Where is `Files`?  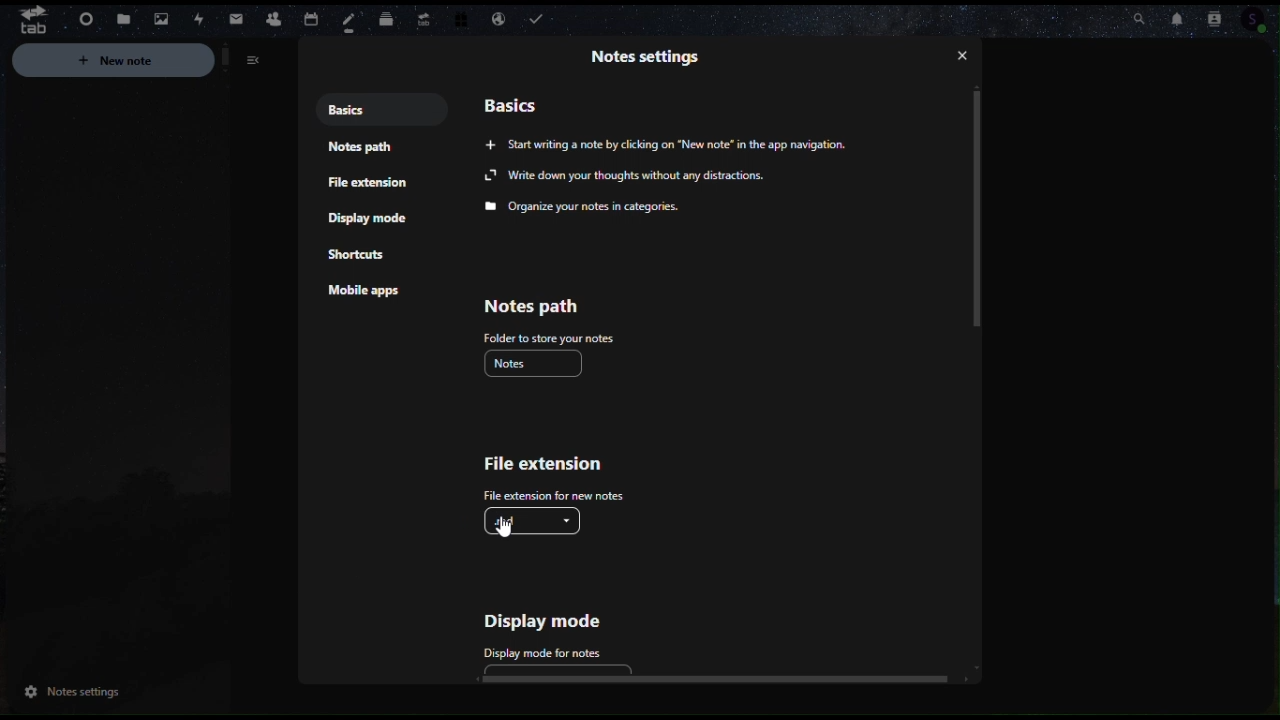
Files is located at coordinates (123, 20).